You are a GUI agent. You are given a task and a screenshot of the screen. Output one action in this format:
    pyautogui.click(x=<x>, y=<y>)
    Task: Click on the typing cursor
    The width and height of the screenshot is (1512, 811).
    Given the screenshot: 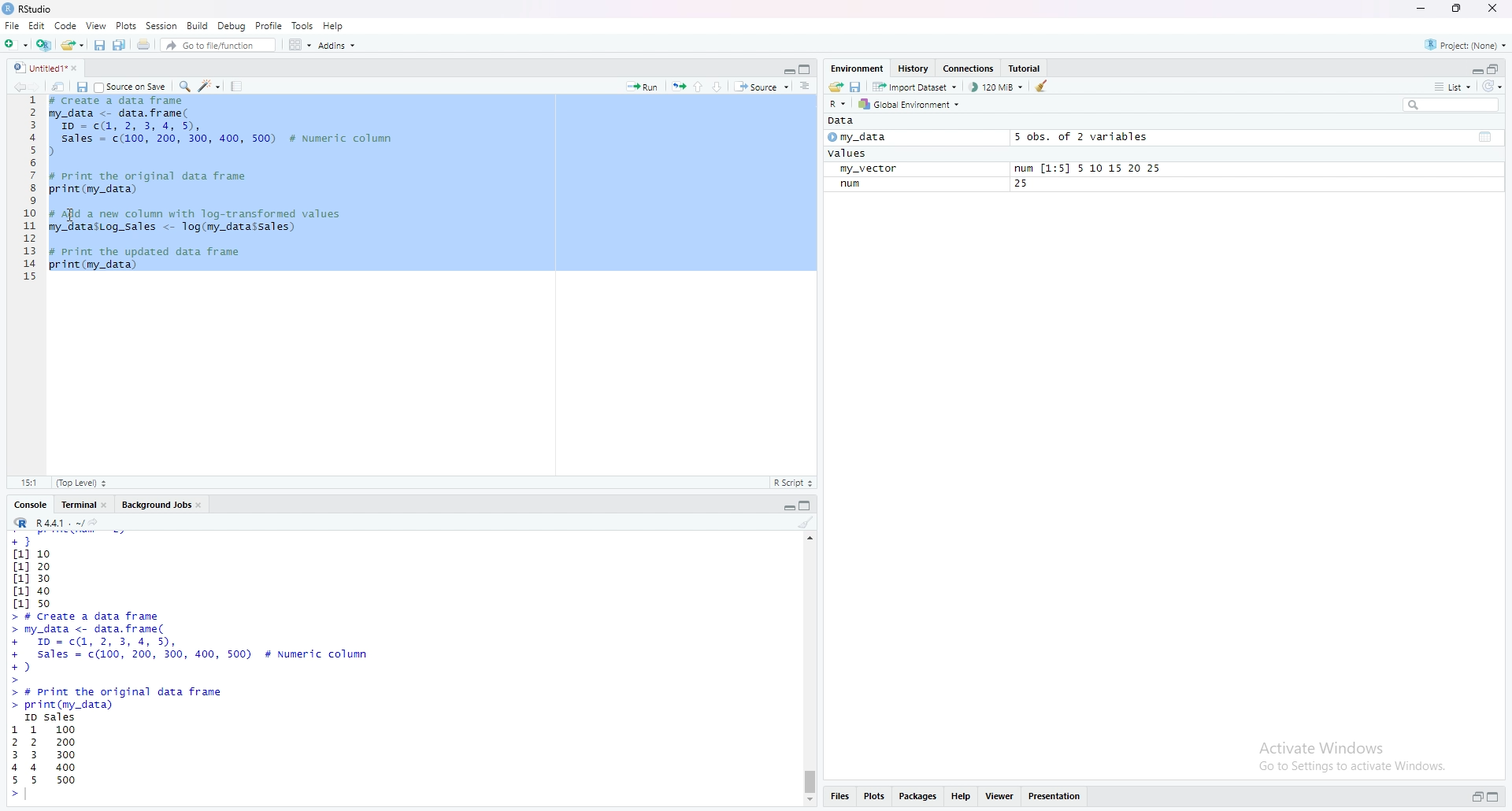 What is the action you would take?
    pyautogui.click(x=35, y=797)
    